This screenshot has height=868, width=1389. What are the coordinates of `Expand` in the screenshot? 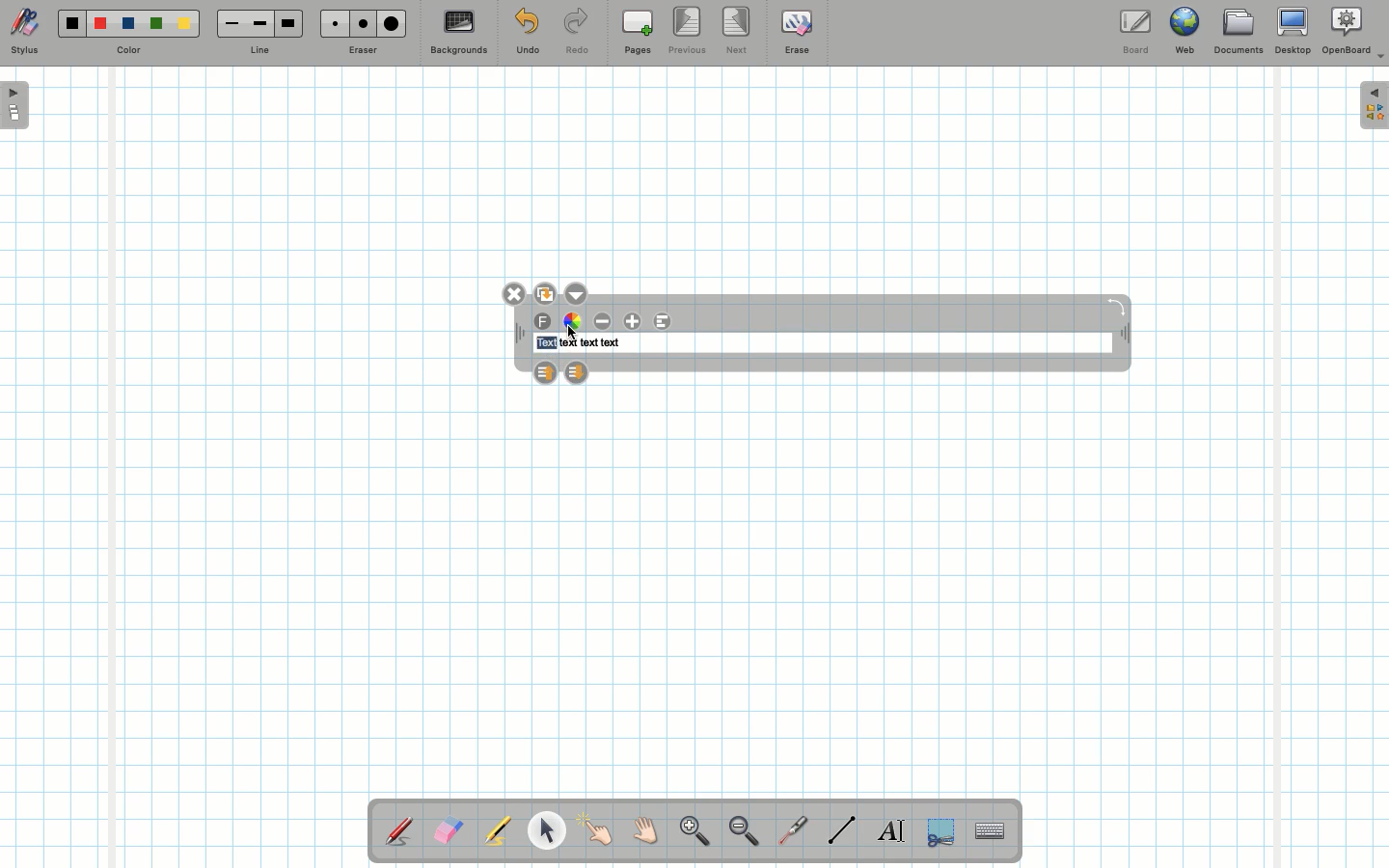 It's located at (1374, 105).